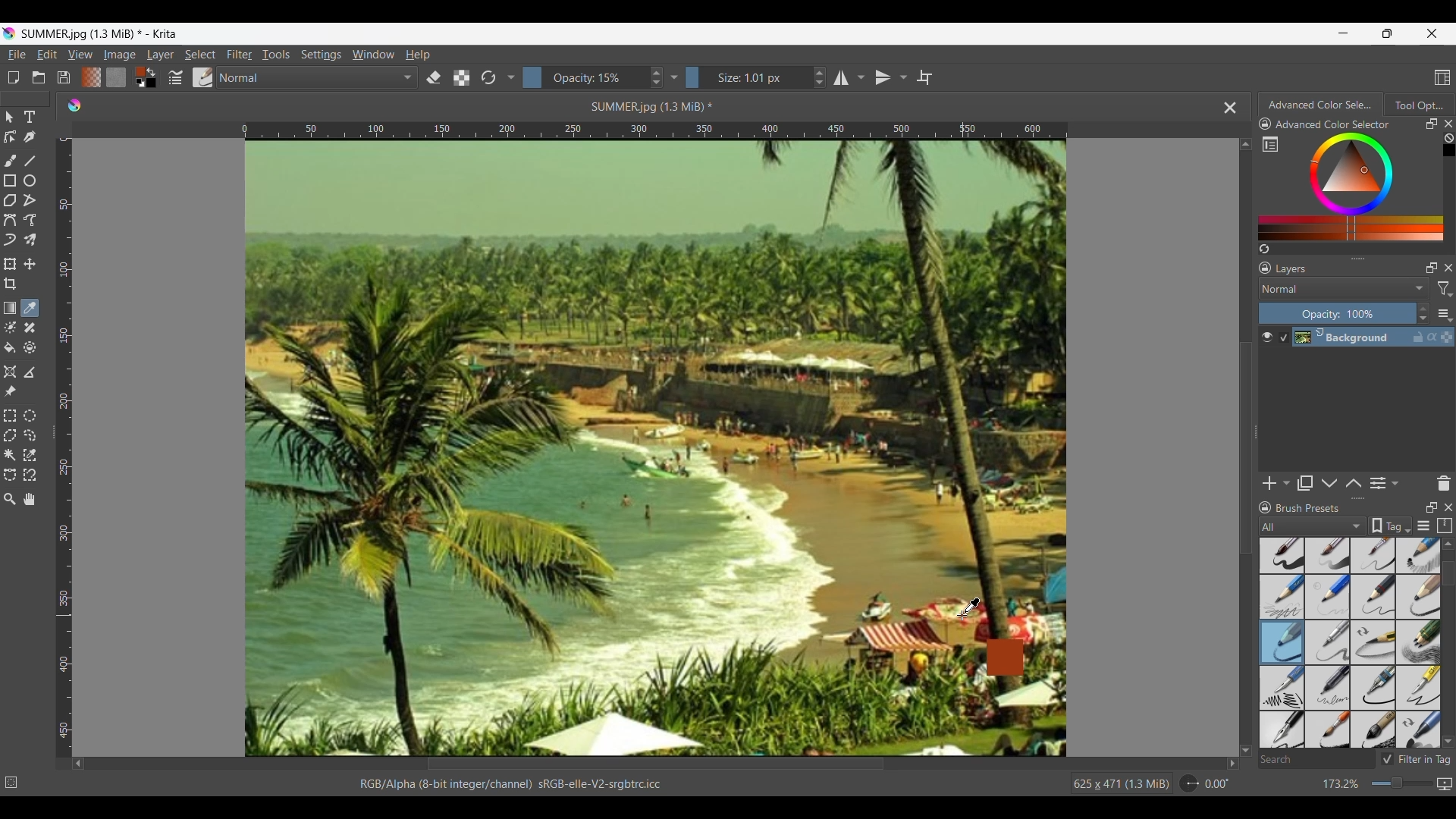 Image resolution: width=1456 pixels, height=819 pixels. Describe the element at coordinates (9, 392) in the screenshot. I see `Reference images tool` at that location.